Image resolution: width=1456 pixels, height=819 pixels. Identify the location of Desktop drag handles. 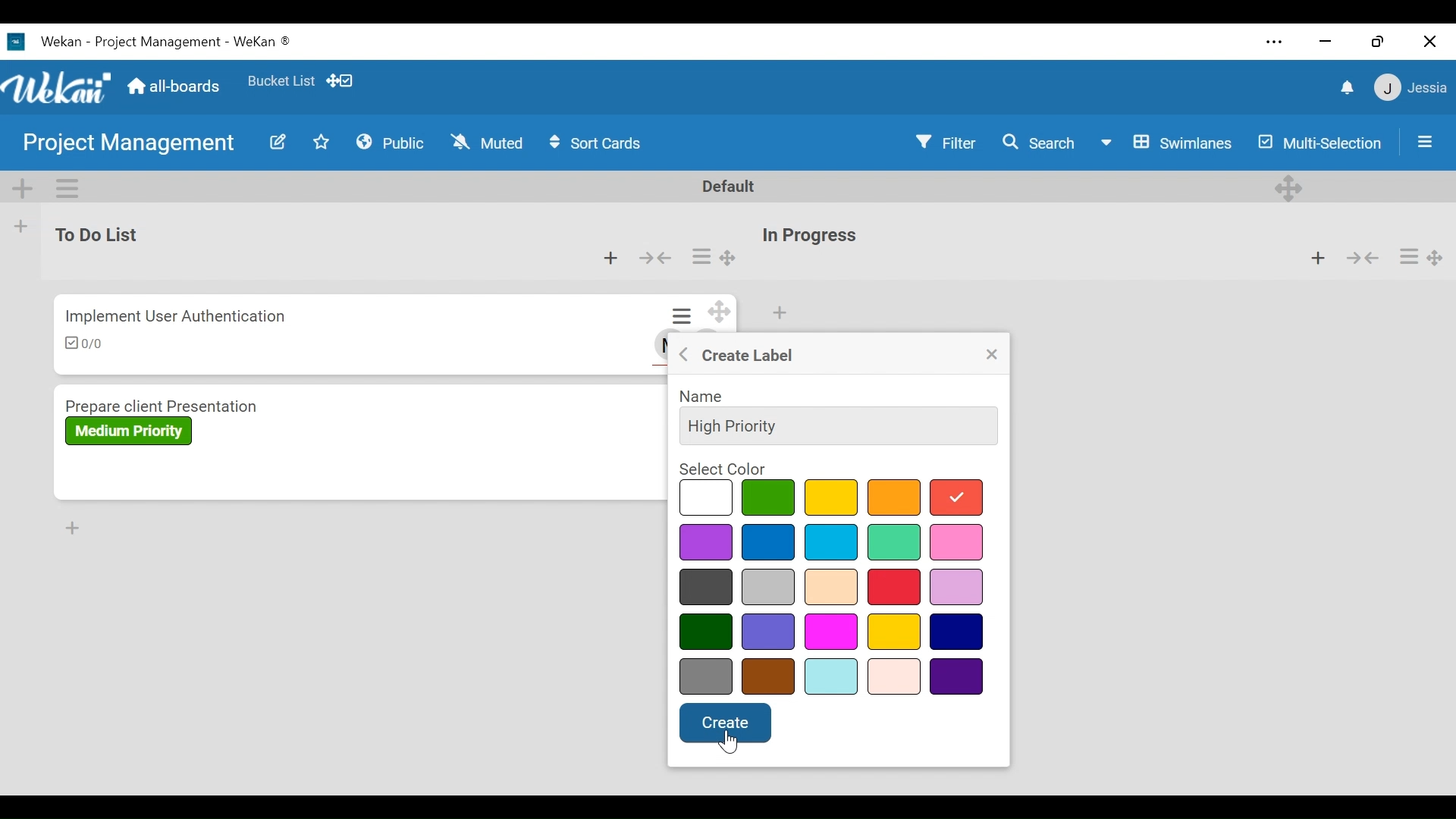
(1291, 187).